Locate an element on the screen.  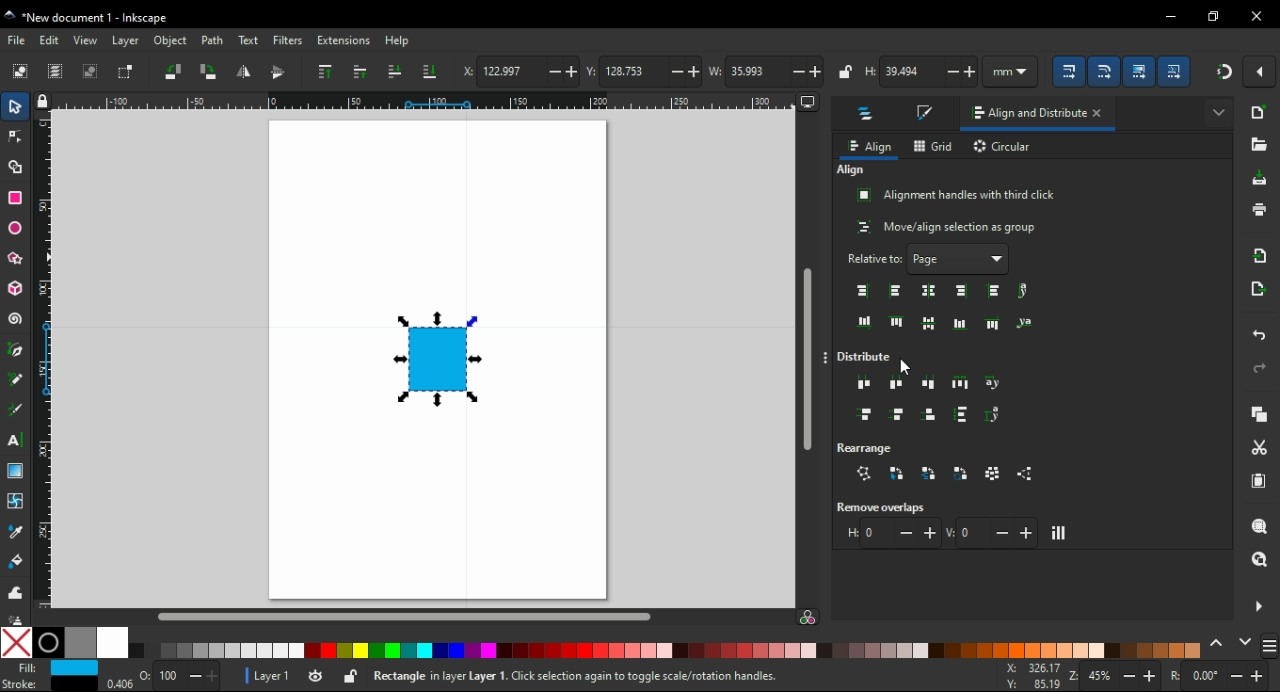
options is located at coordinates (828, 359).